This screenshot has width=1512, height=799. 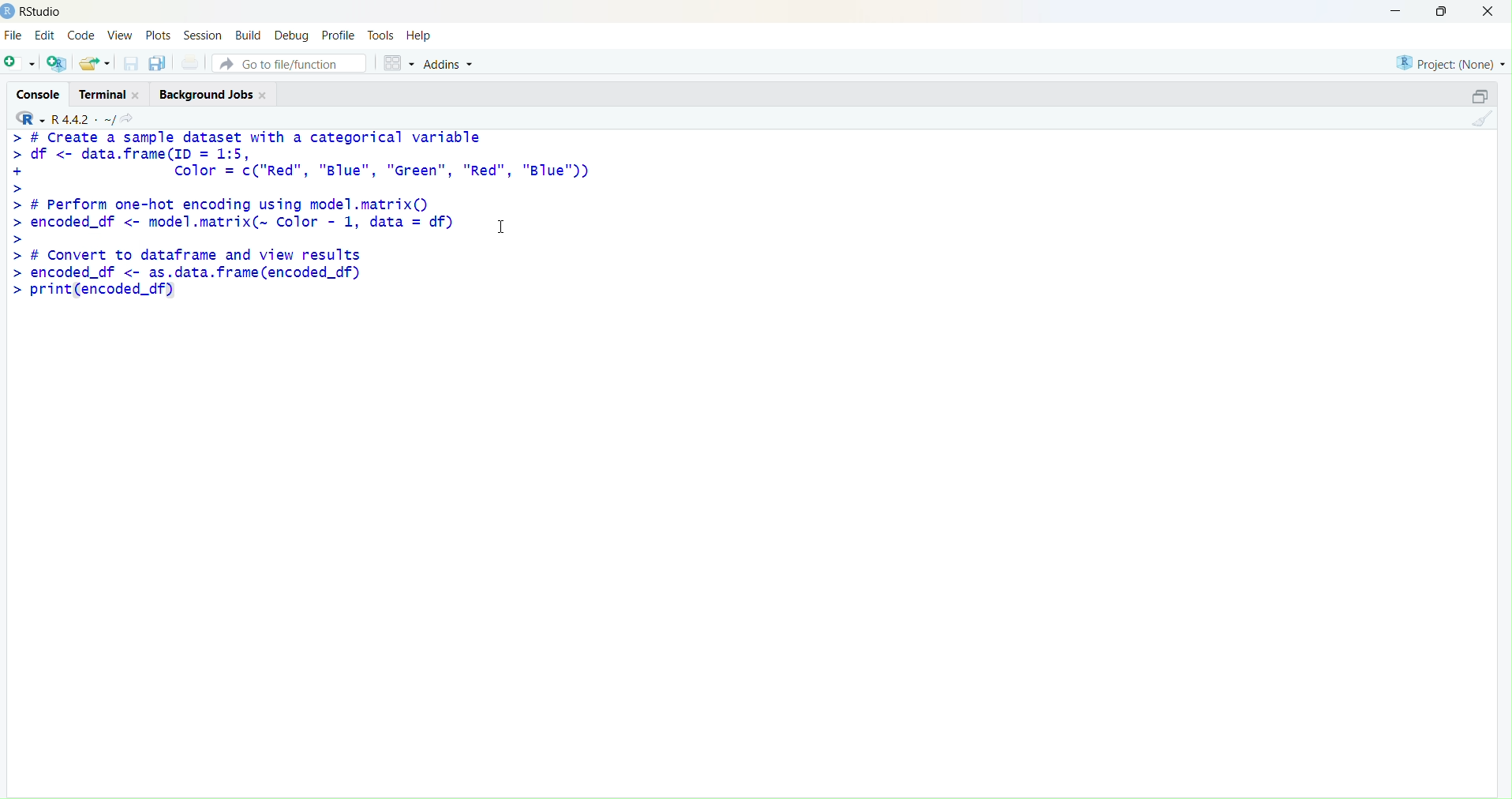 What do you see at coordinates (301, 217) in the screenshot?
I see `> # Create a sample dataset with a categorical variable

> df <- data.frame(ID = 1:5,

+ color = c("Red", "Blue", "Green", "Red", "Blue"))
>

> # Perform one-hot encoding using model.matrix()

> encoded_df <- model.matrix(~ Color - 1, data = df) 1

>

> # Convert to dataframe and view results

> encoded_df <- as.data.frame(encoded_df)

> print(encoded_df)` at bounding box center [301, 217].